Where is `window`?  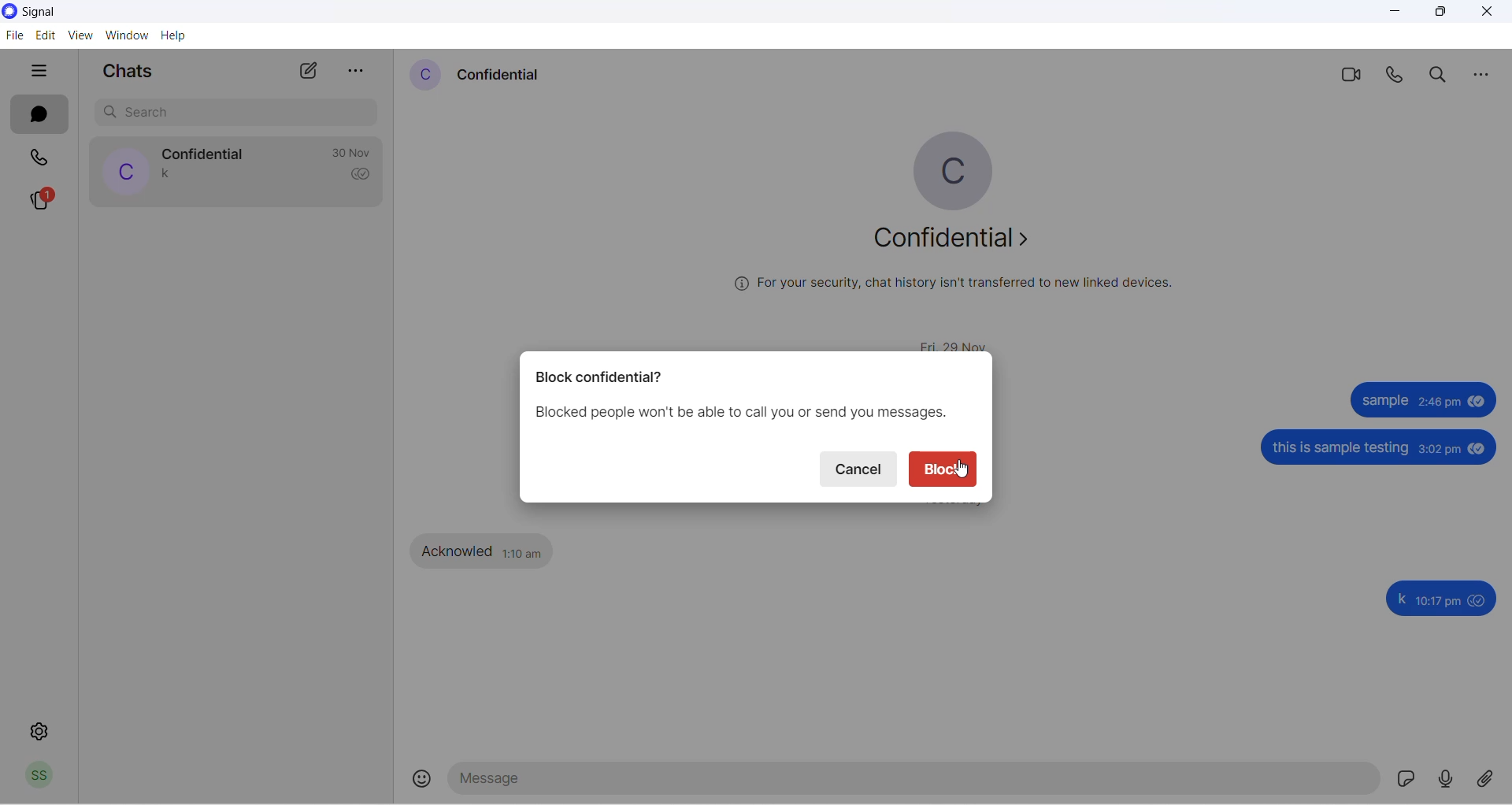 window is located at coordinates (124, 35).